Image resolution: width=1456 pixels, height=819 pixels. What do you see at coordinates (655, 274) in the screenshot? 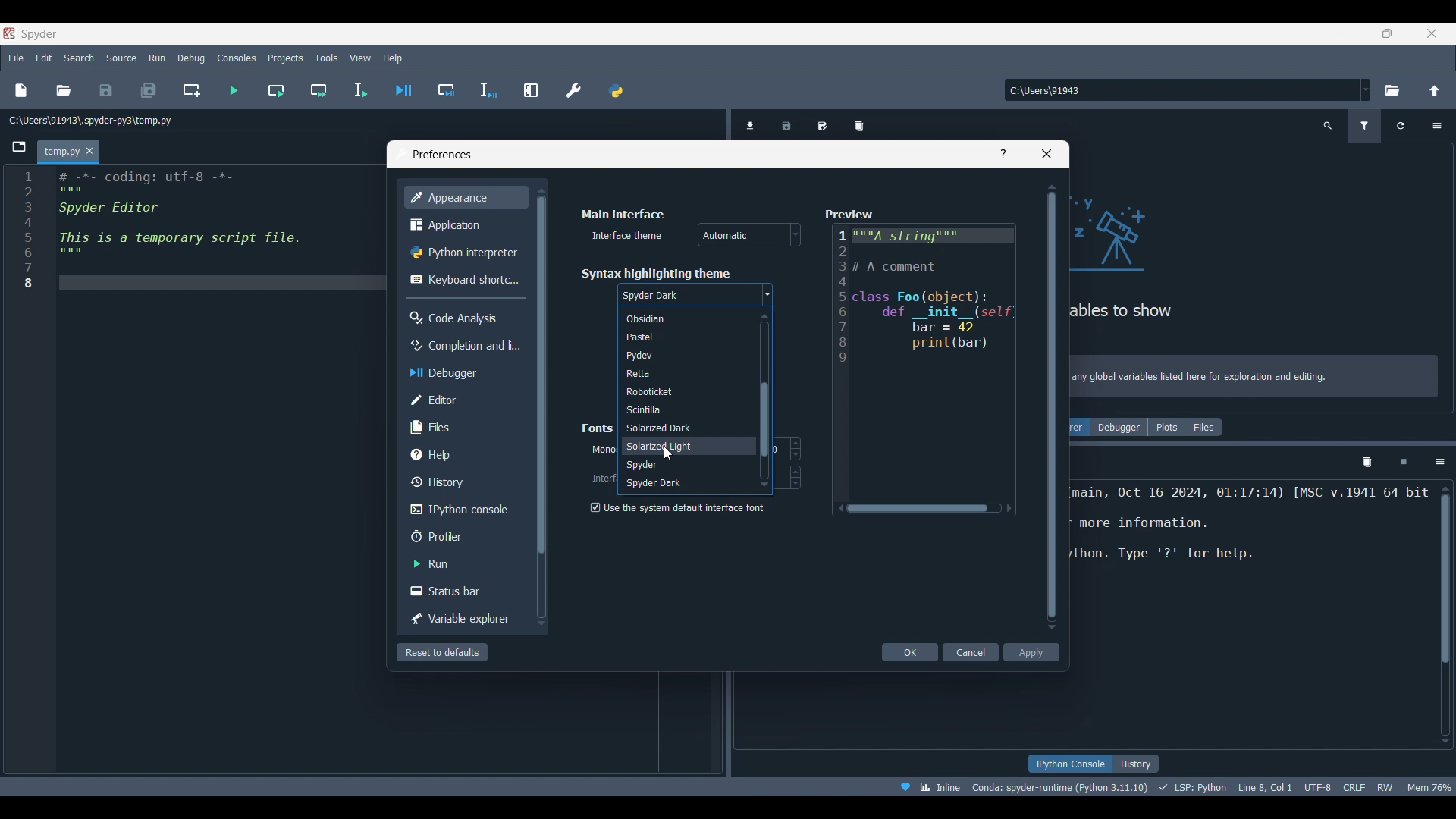
I see `Section title` at bounding box center [655, 274].